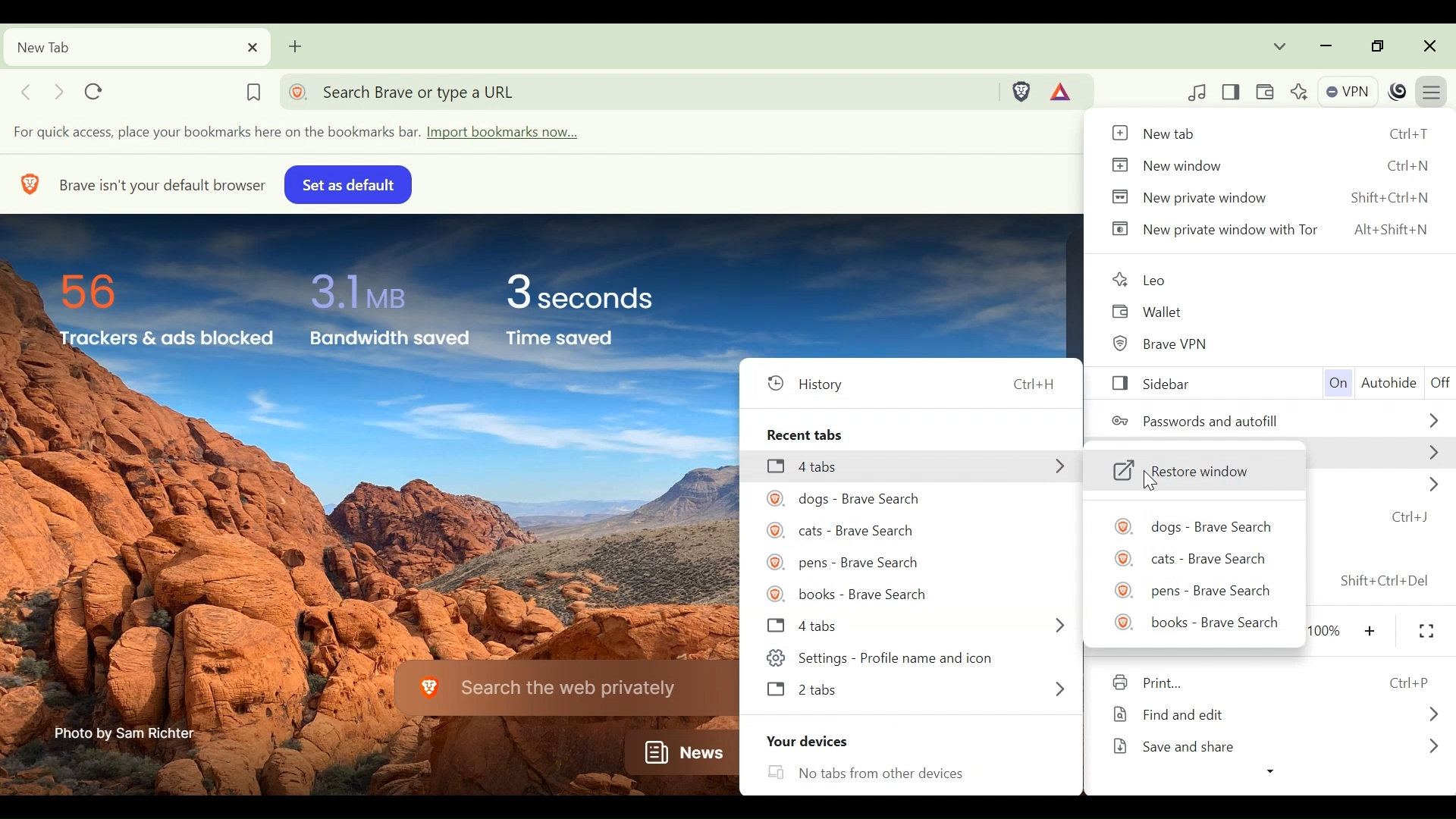 Image resolution: width=1456 pixels, height=819 pixels. I want to click on Brave Shield, so click(1023, 91).